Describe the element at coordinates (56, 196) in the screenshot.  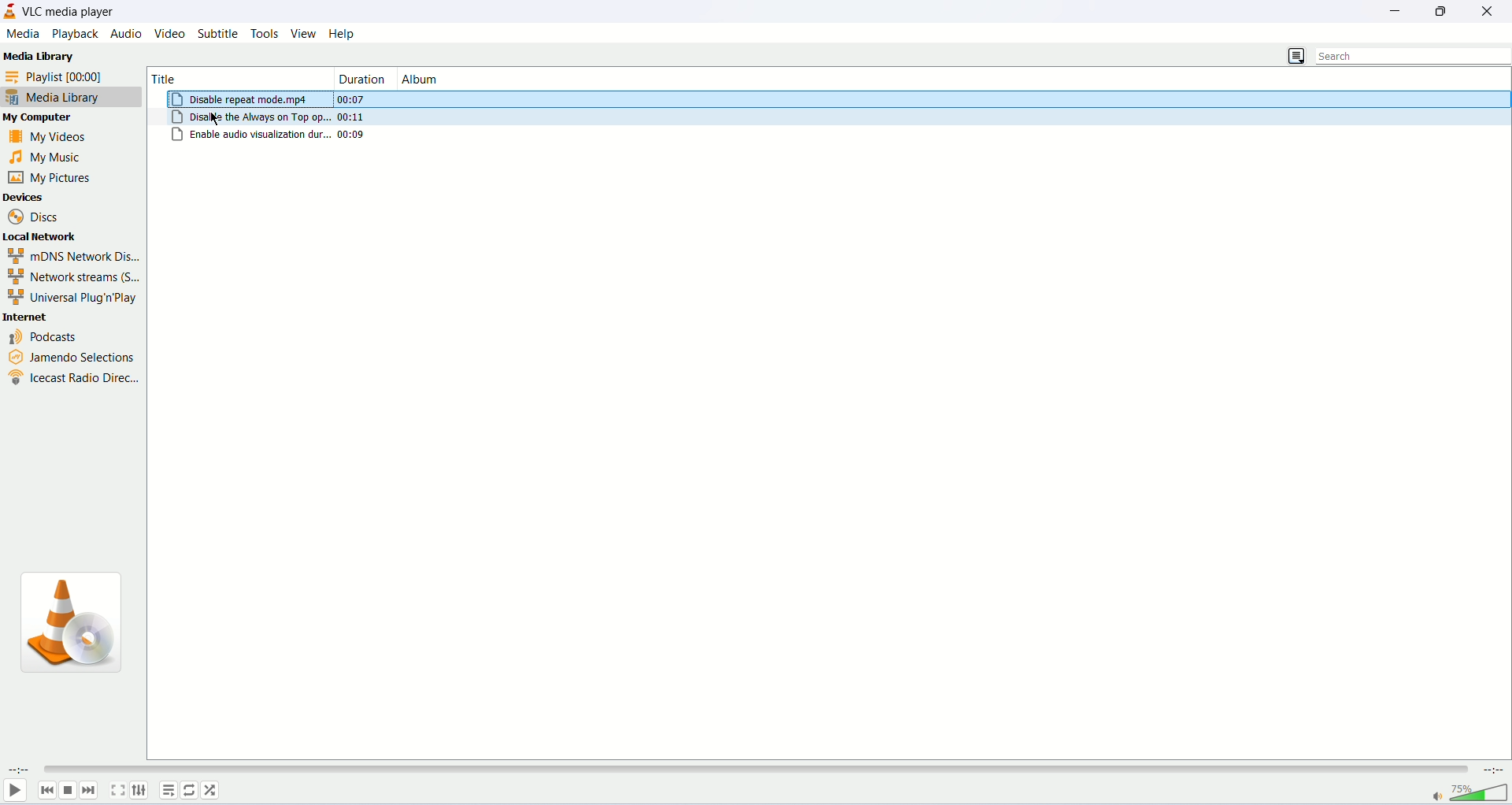
I see `devices` at that location.